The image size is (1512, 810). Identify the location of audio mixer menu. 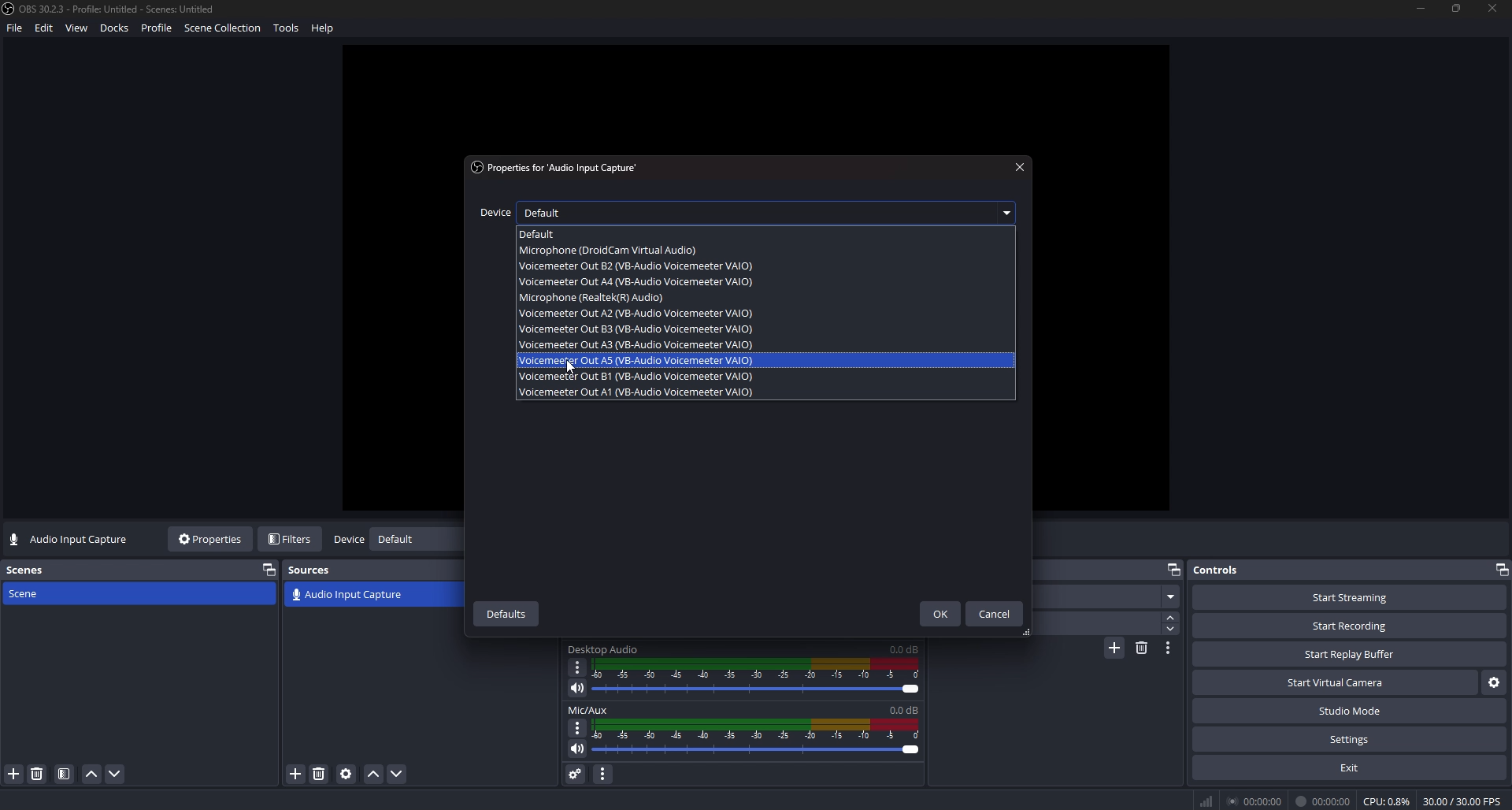
(604, 773).